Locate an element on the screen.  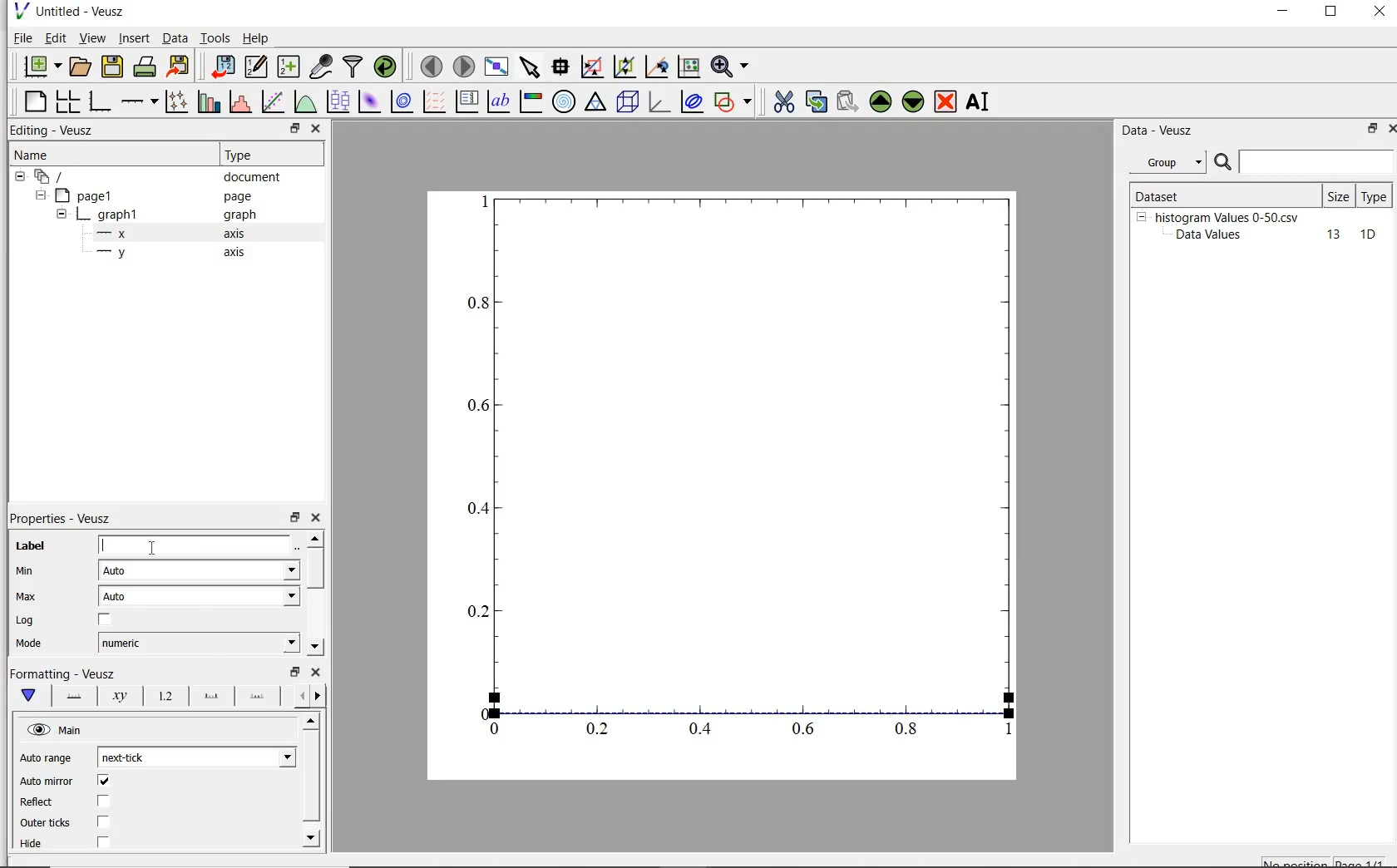
plot boxplots is located at coordinates (338, 101).